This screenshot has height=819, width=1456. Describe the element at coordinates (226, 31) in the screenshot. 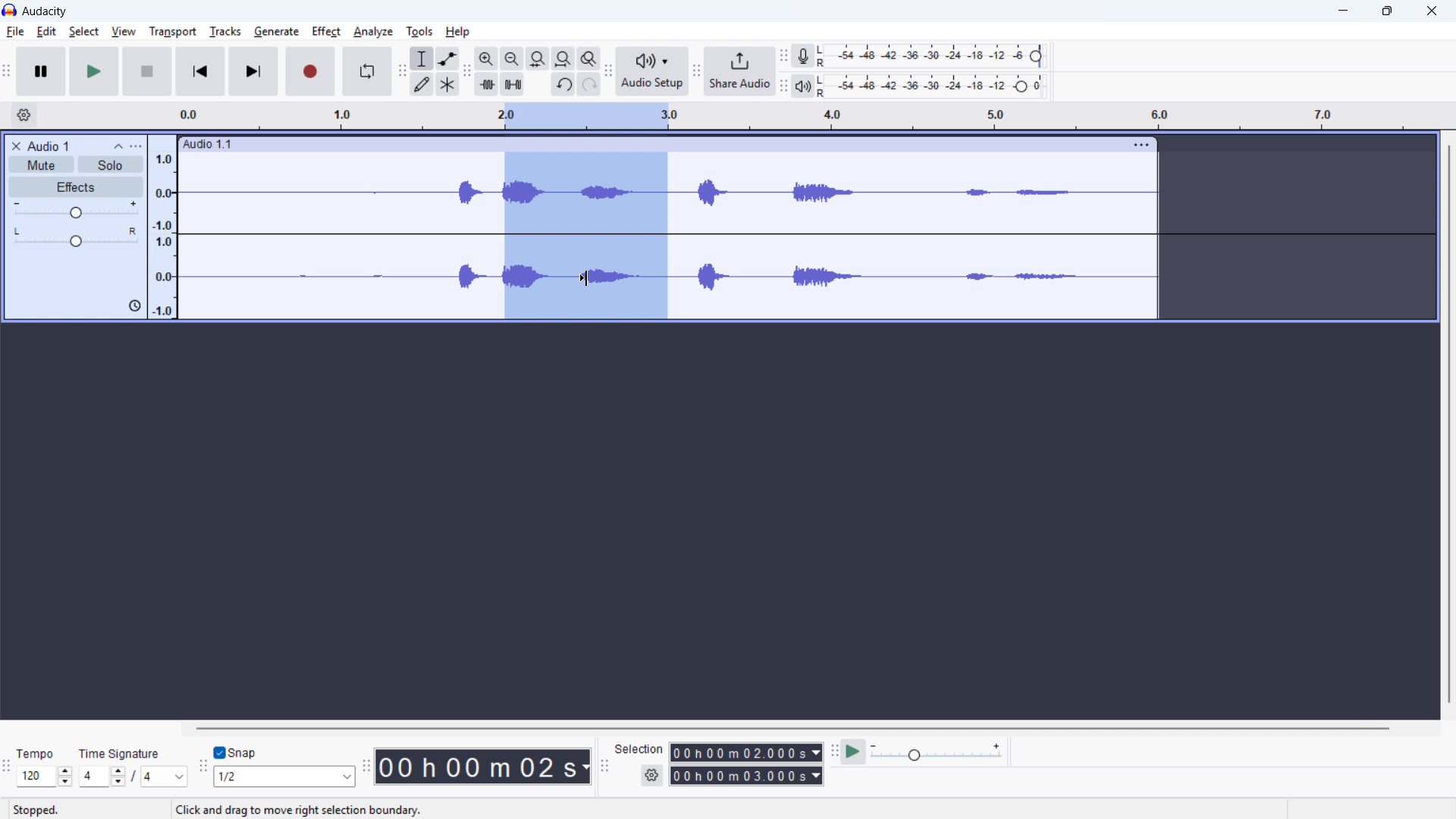

I see `Tracks` at that location.